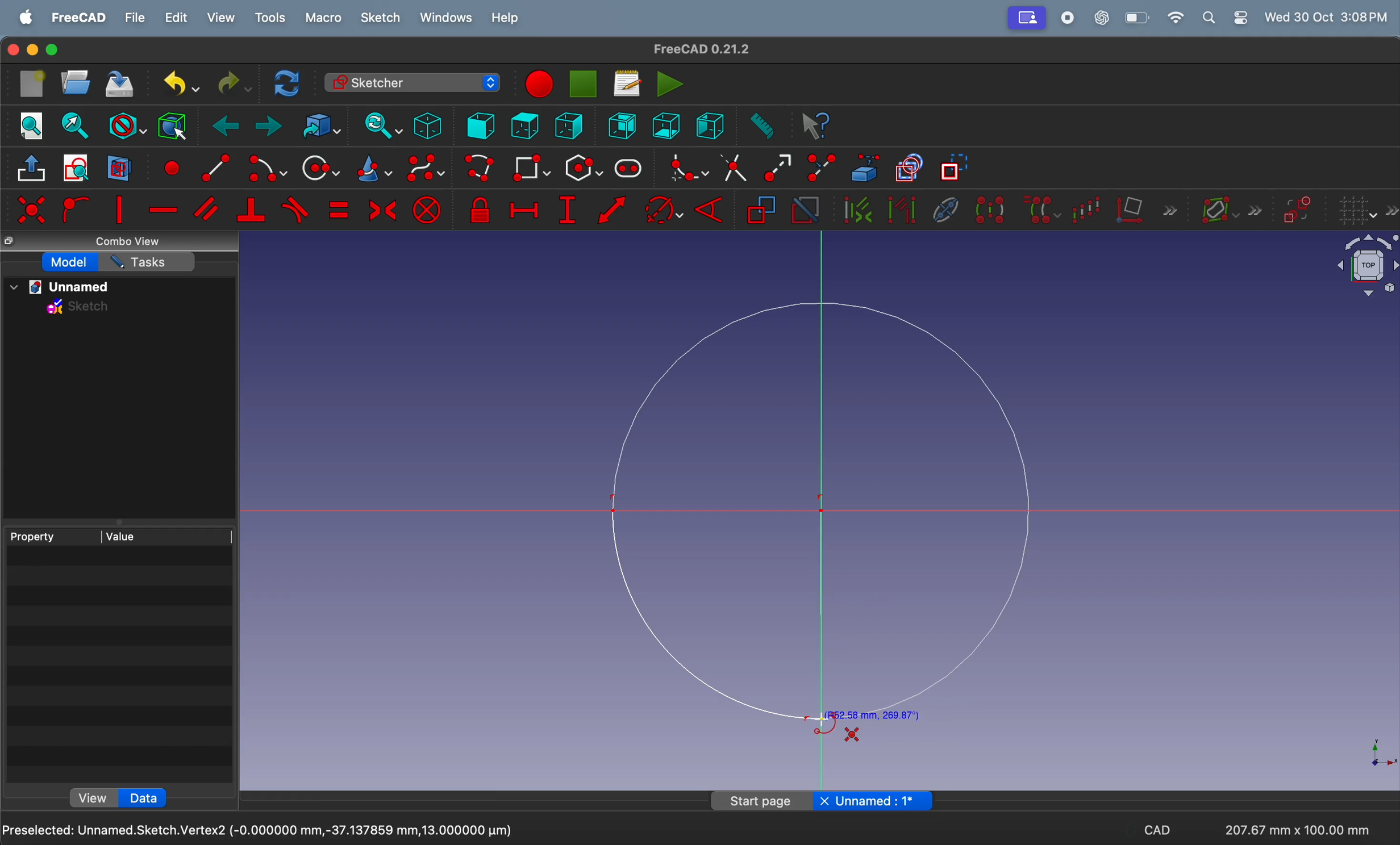 The width and height of the screenshot is (1400, 845). What do you see at coordinates (231, 83) in the screenshot?
I see `redo` at bounding box center [231, 83].